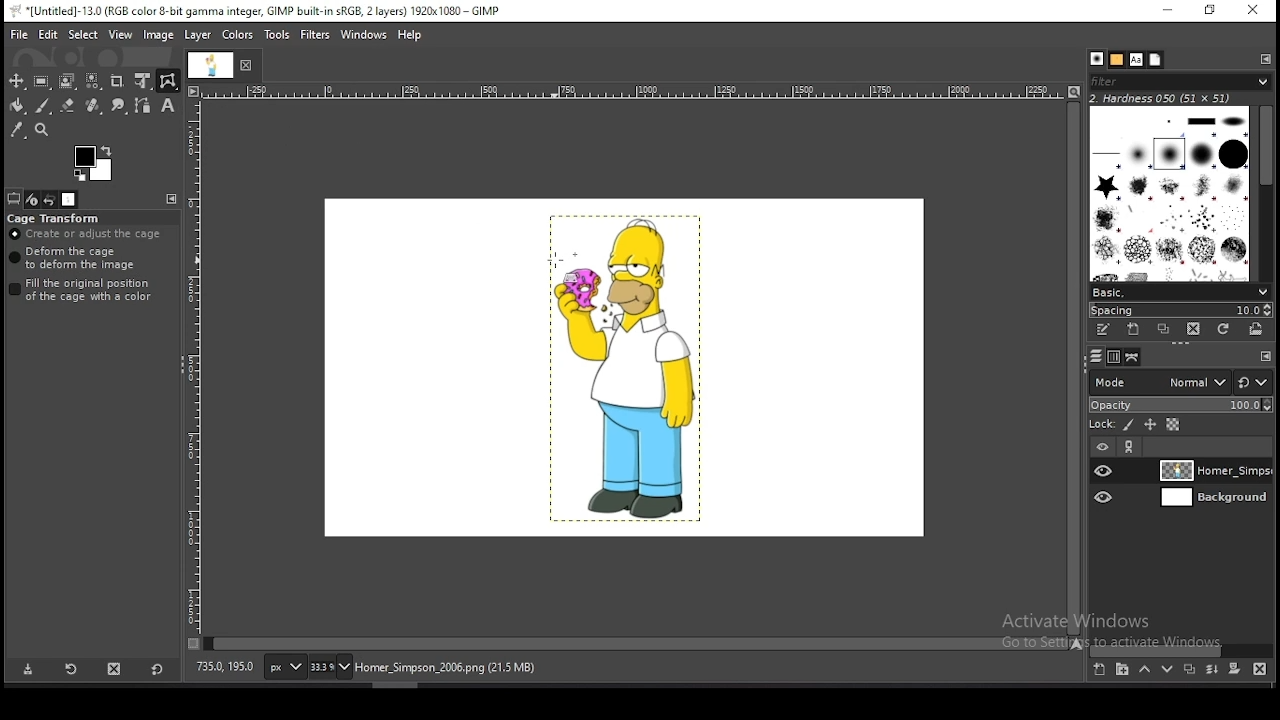 The width and height of the screenshot is (1280, 720). I want to click on edit, so click(48, 35).